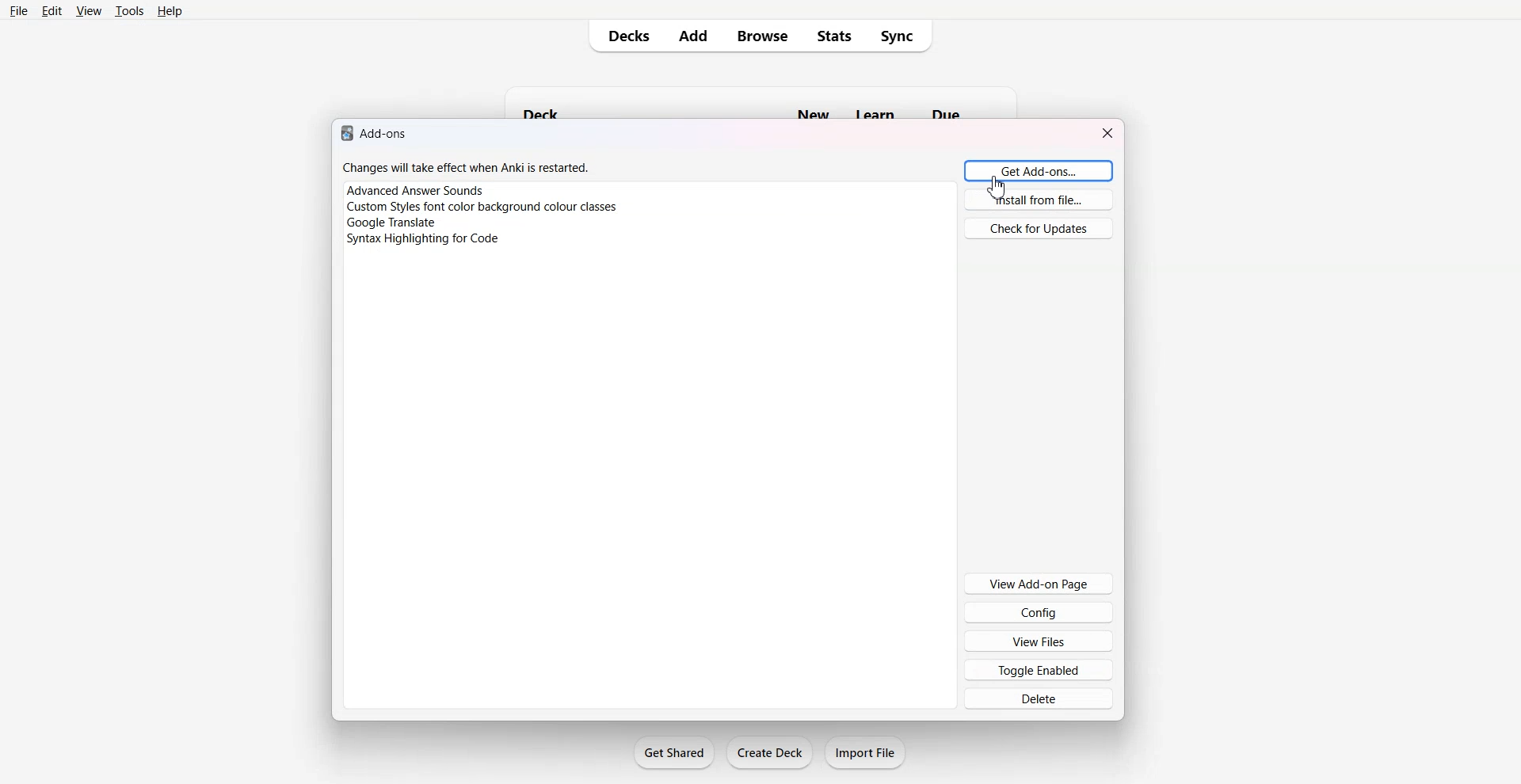 The height and width of the screenshot is (784, 1521). What do you see at coordinates (694, 36) in the screenshot?
I see `Add` at bounding box center [694, 36].